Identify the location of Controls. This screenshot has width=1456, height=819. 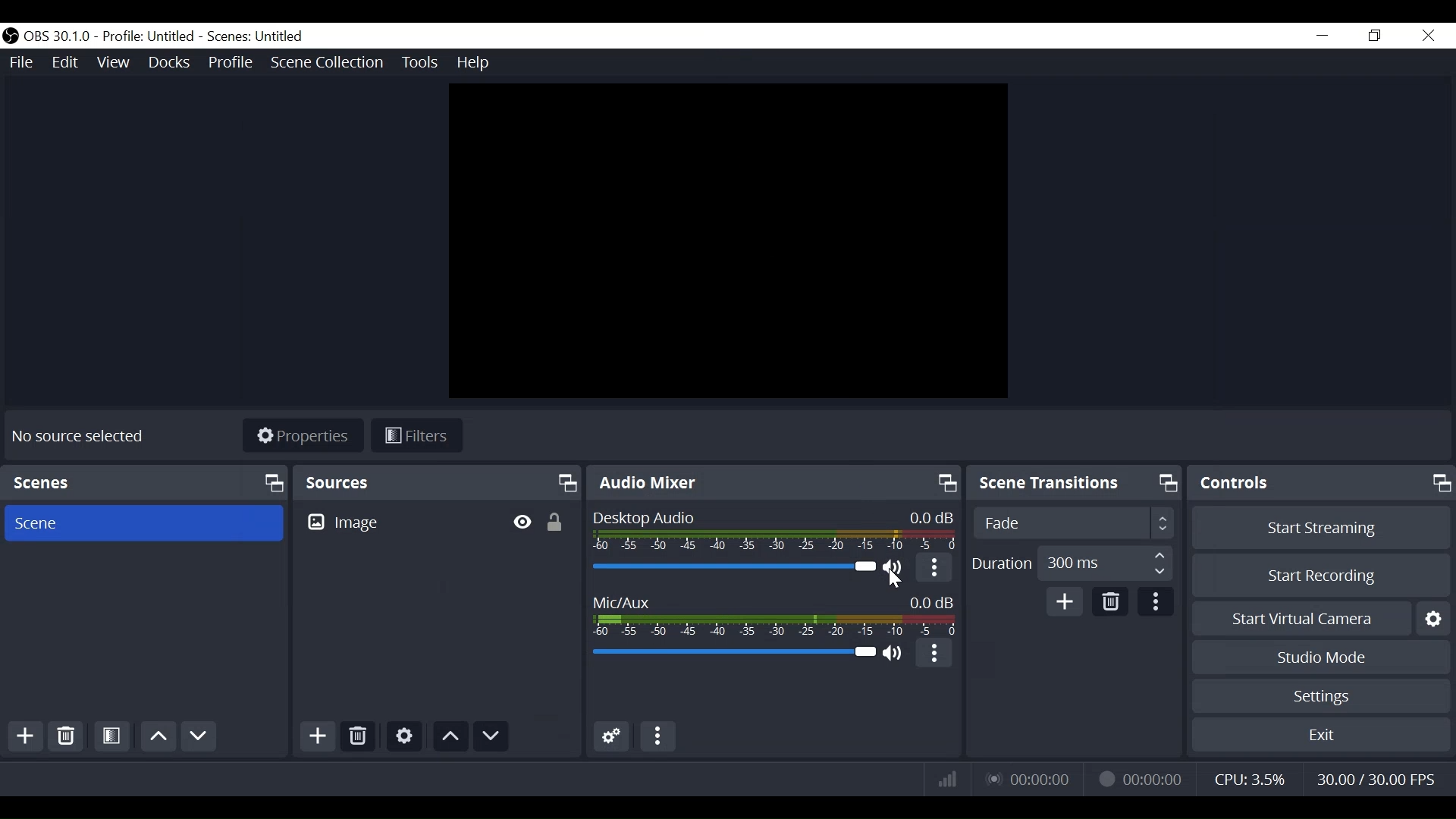
(1323, 485).